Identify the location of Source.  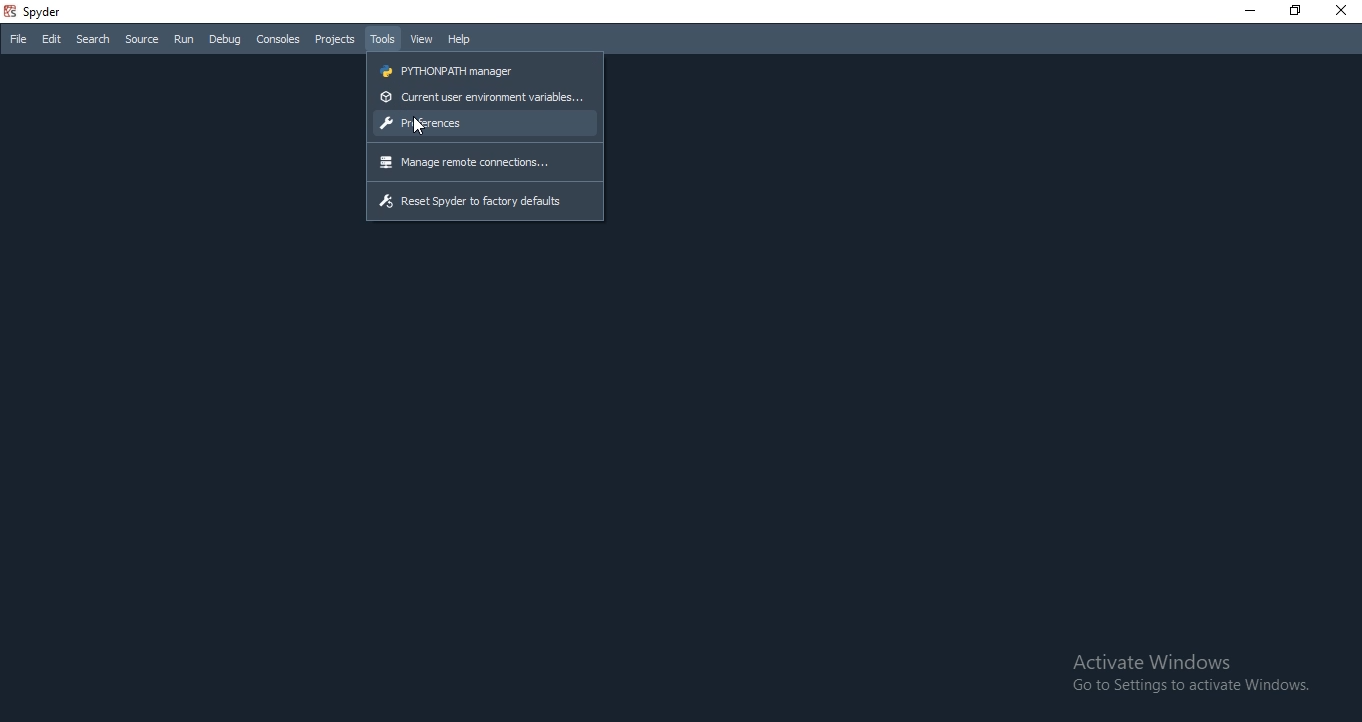
(141, 39).